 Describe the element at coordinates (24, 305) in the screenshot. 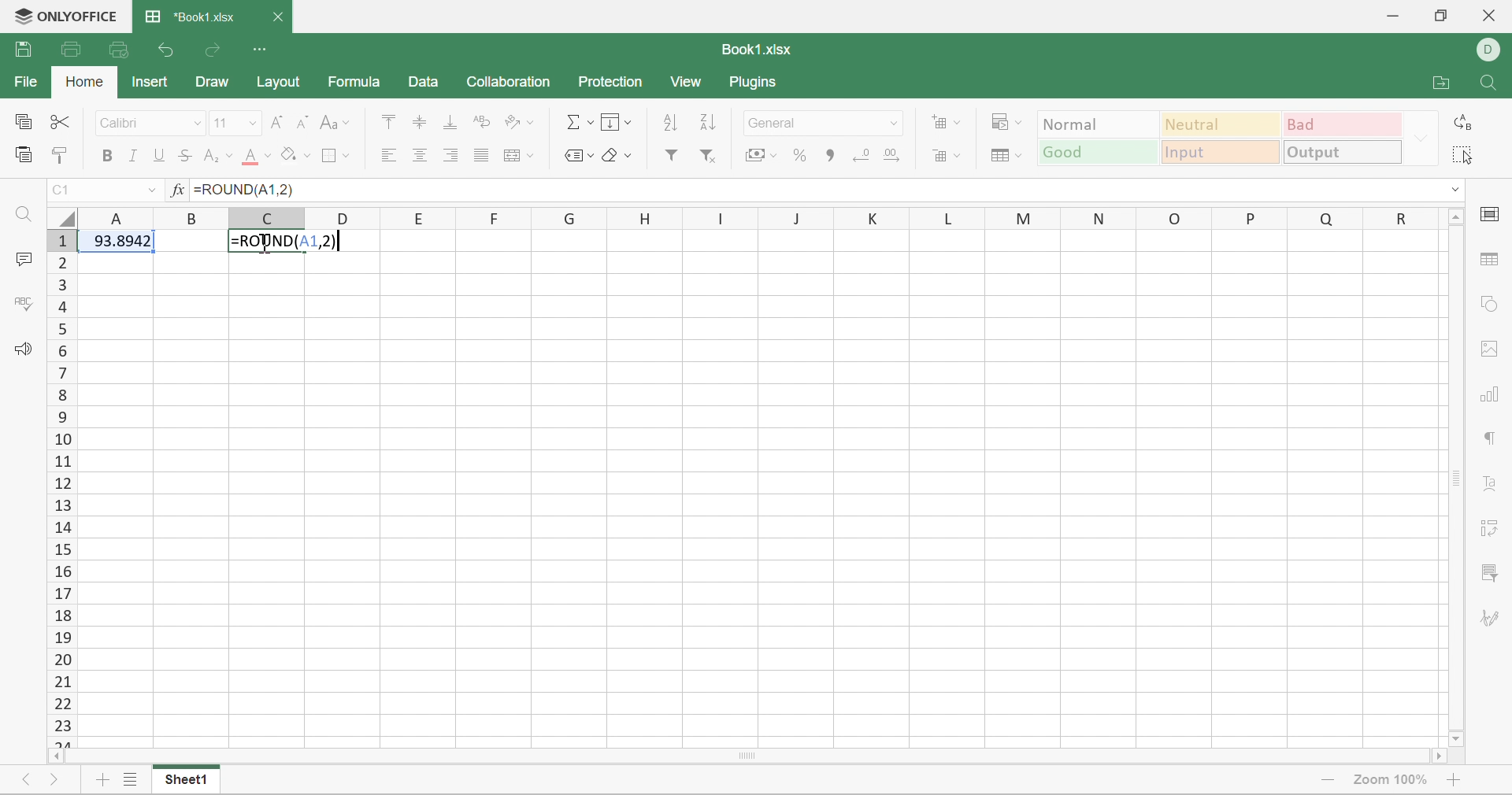

I see `Check Spelling` at that location.